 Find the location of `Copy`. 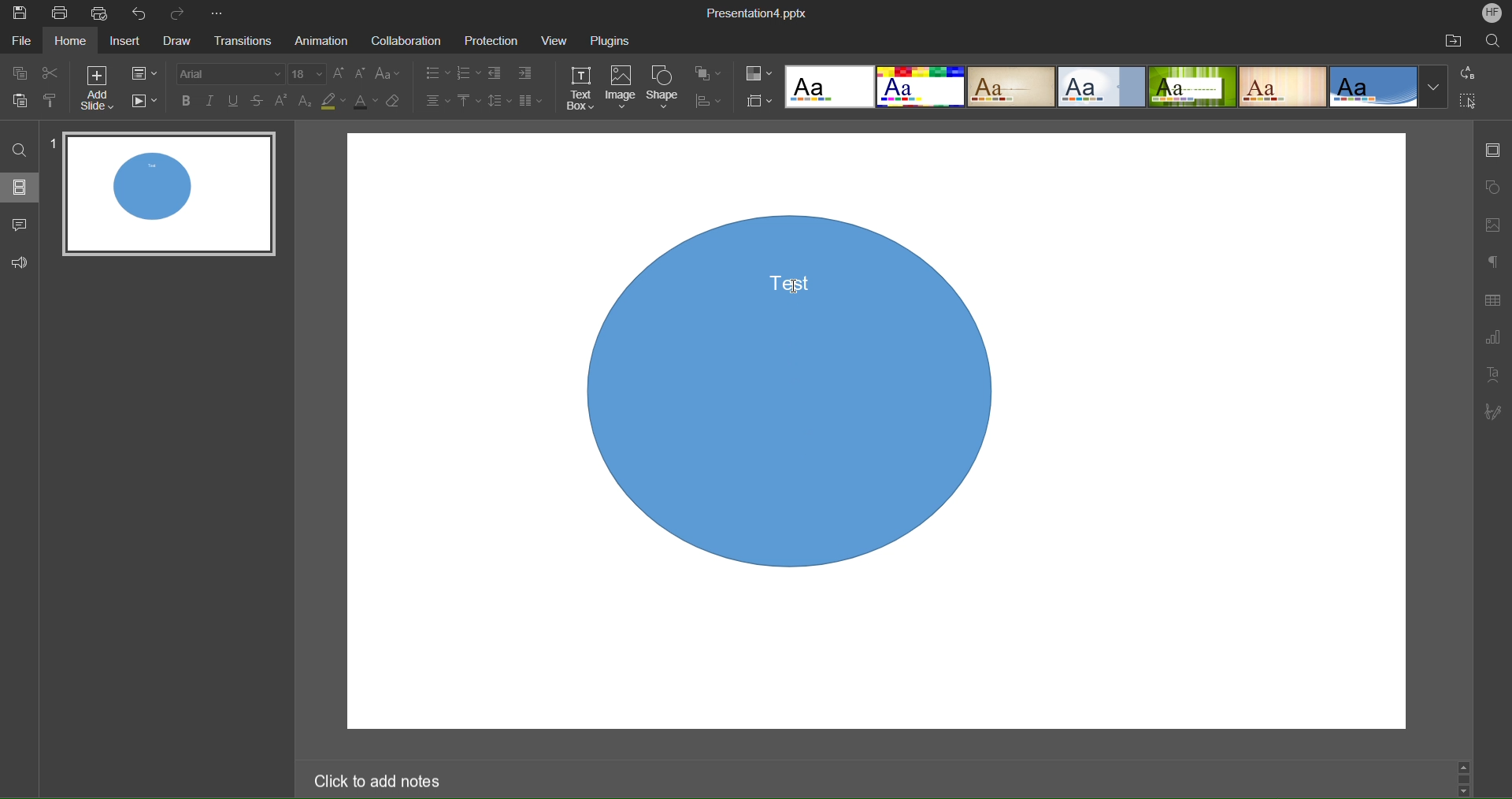

Copy is located at coordinates (19, 76).